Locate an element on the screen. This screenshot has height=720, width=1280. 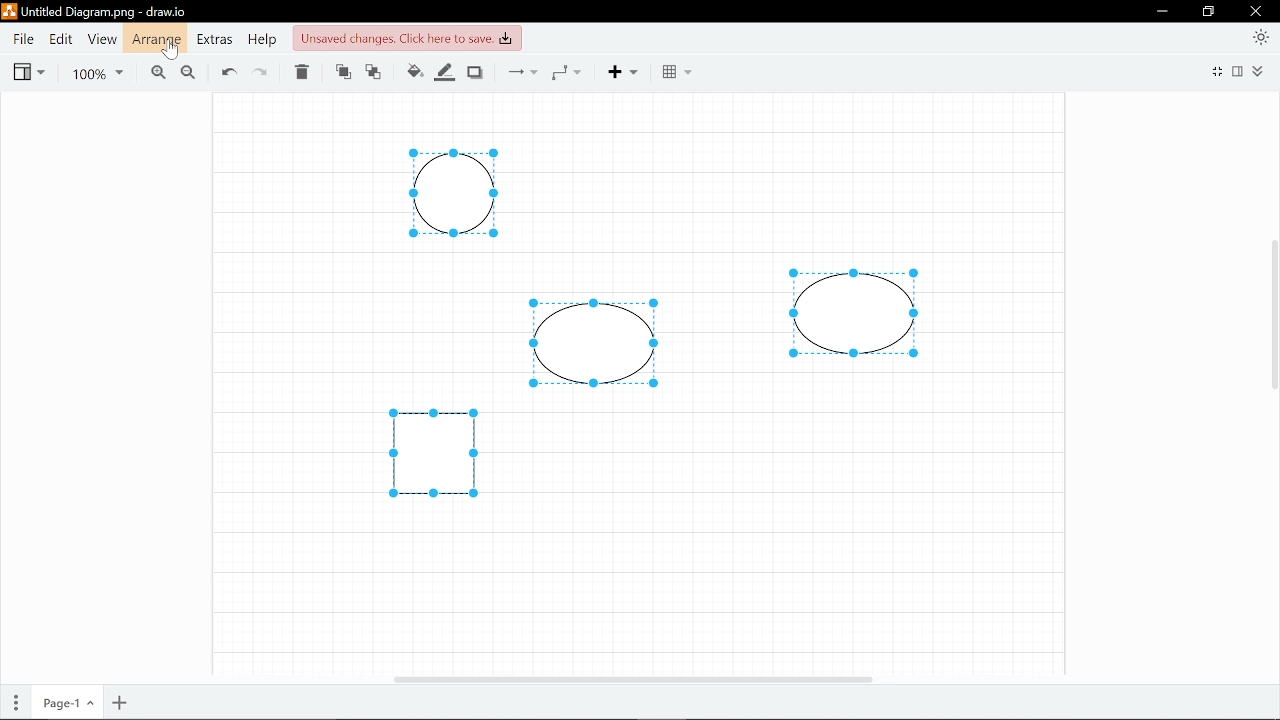
Minimize is located at coordinates (1161, 11).